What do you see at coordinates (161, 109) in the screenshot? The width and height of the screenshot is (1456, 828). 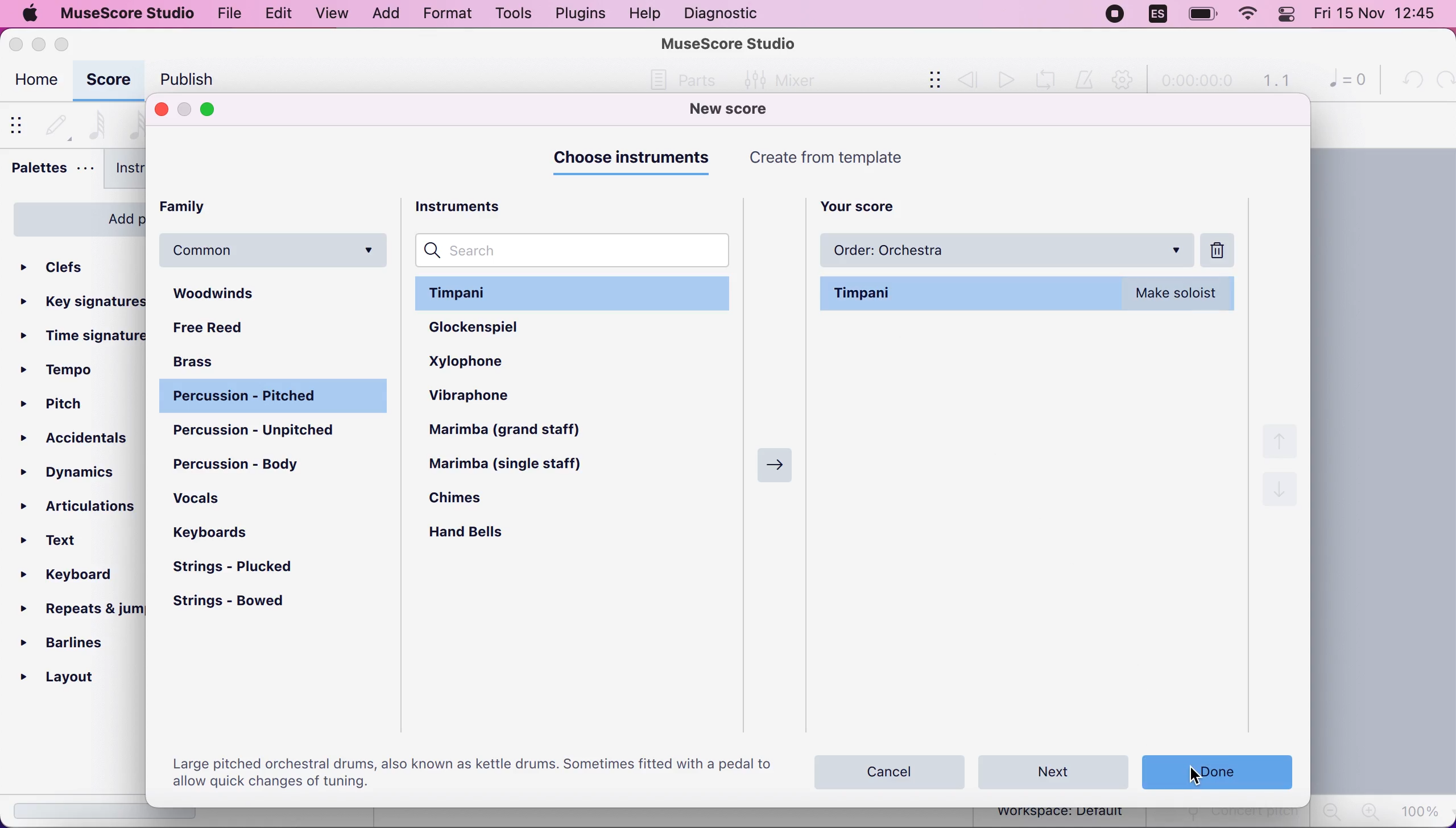 I see `close` at bounding box center [161, 109].